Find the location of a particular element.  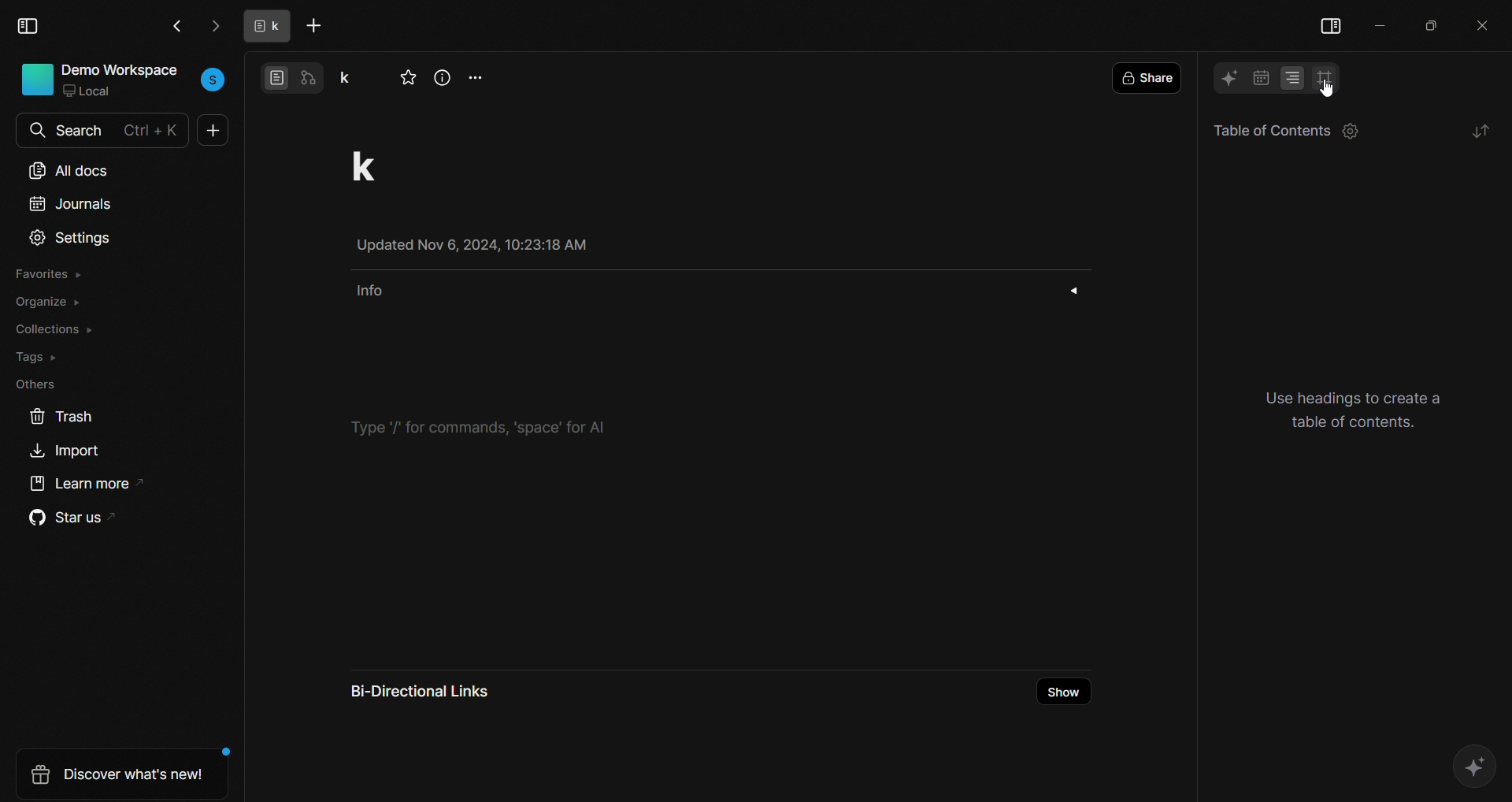

icon is located at coordinates (37, 79).